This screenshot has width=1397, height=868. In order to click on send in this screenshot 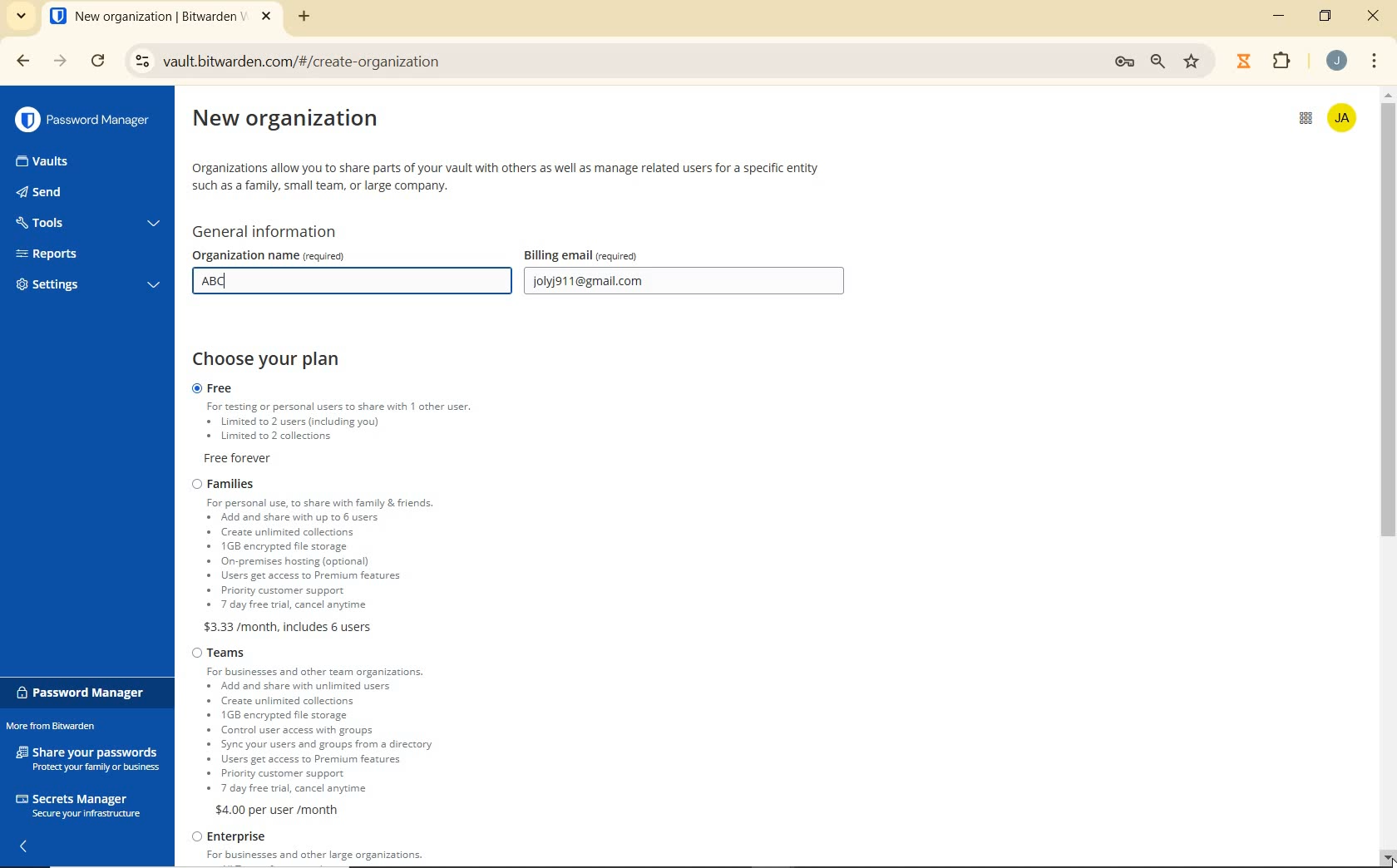, I will do `click(67, 194)`.